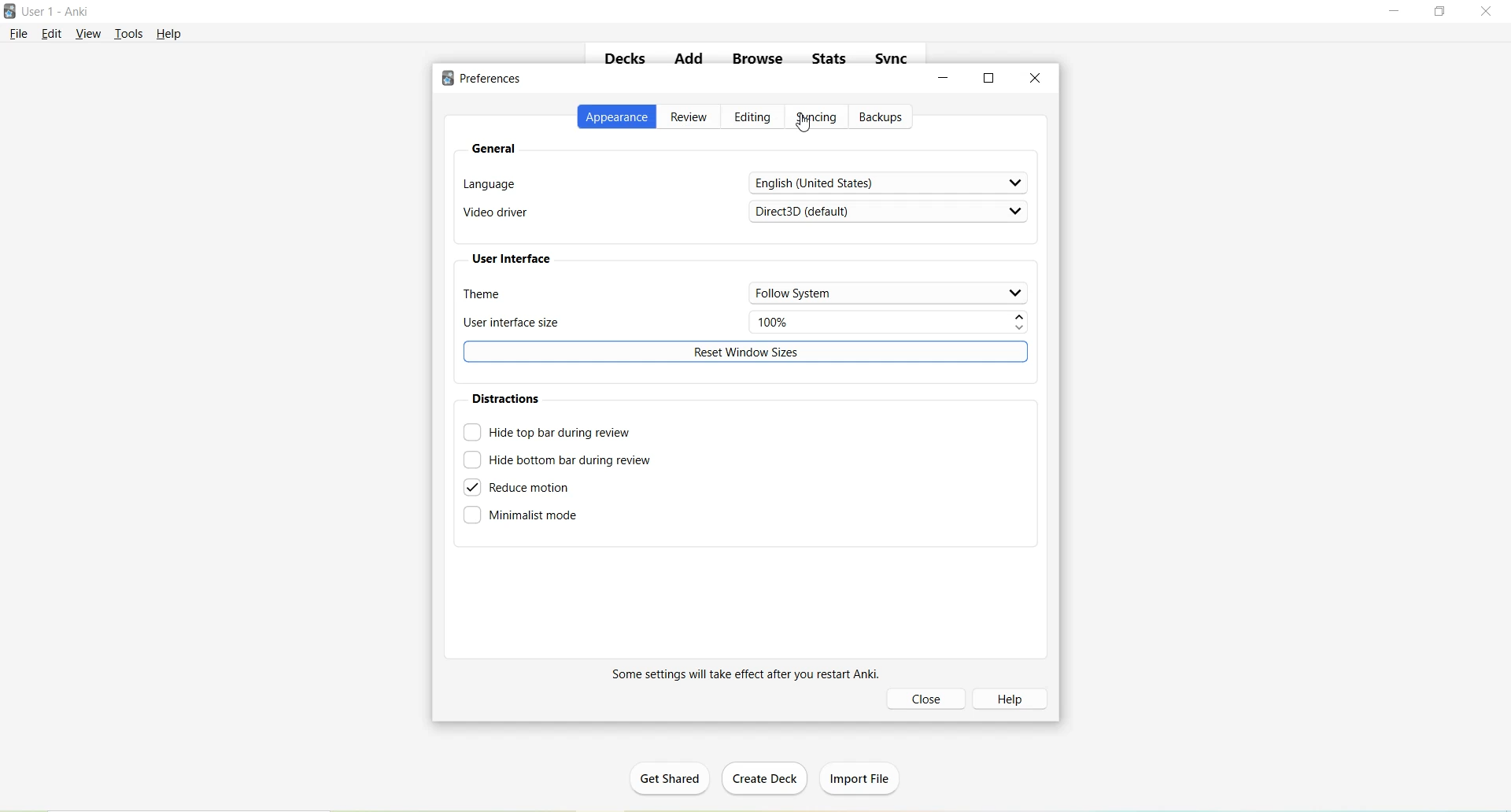  Describe the element at coordinates (805, 124) in the screenshot. I see `cursor` at that location.